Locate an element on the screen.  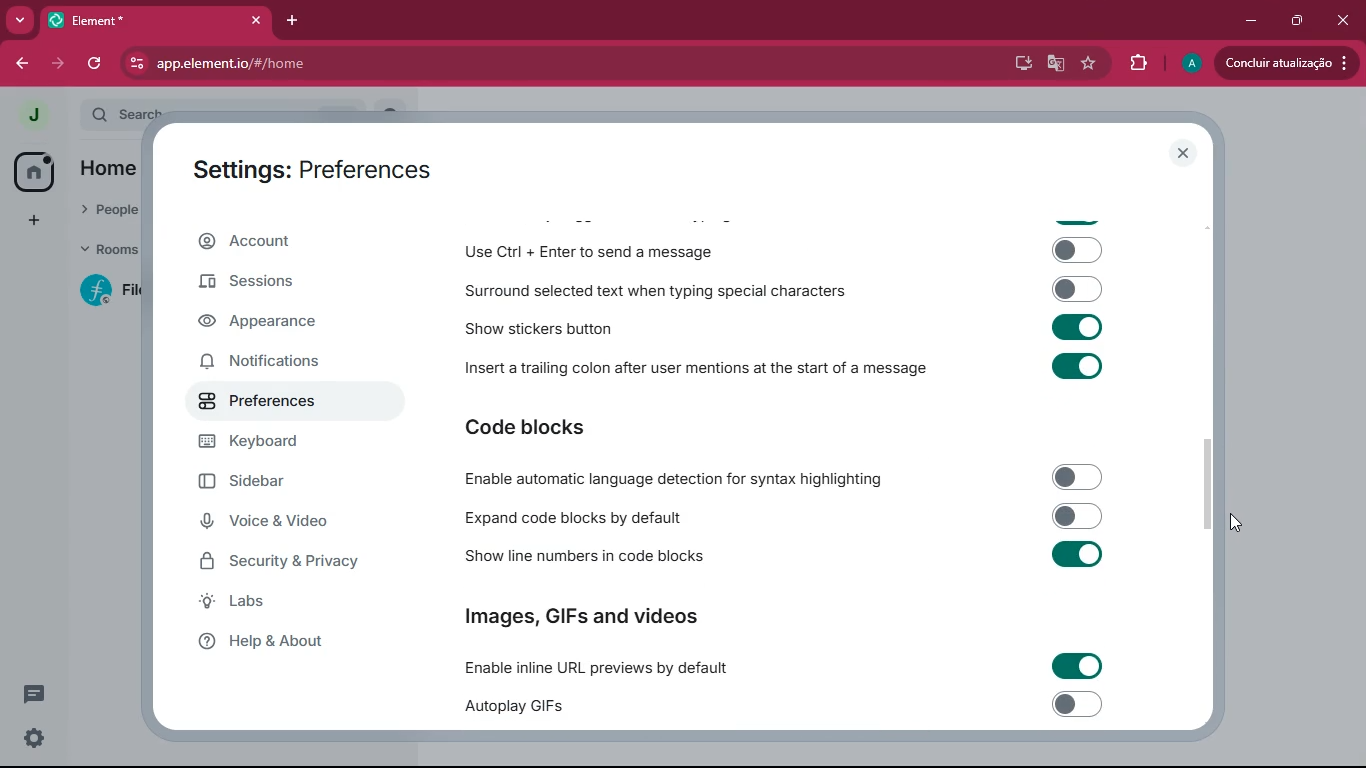
close is located at coordinates (1185, 154).